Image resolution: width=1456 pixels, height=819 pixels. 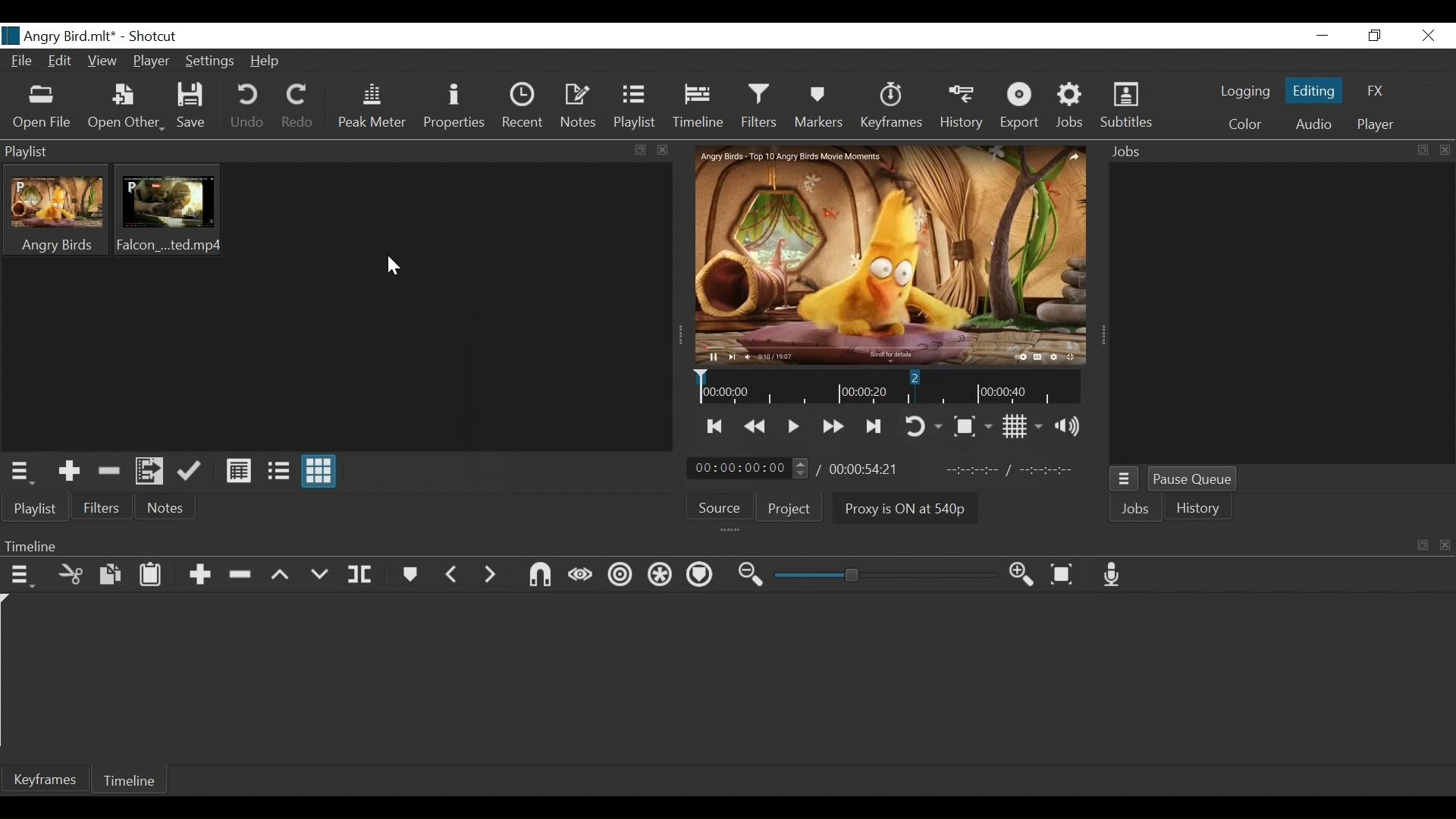 I want to click on Total Duration, so click(x=865, y=469).